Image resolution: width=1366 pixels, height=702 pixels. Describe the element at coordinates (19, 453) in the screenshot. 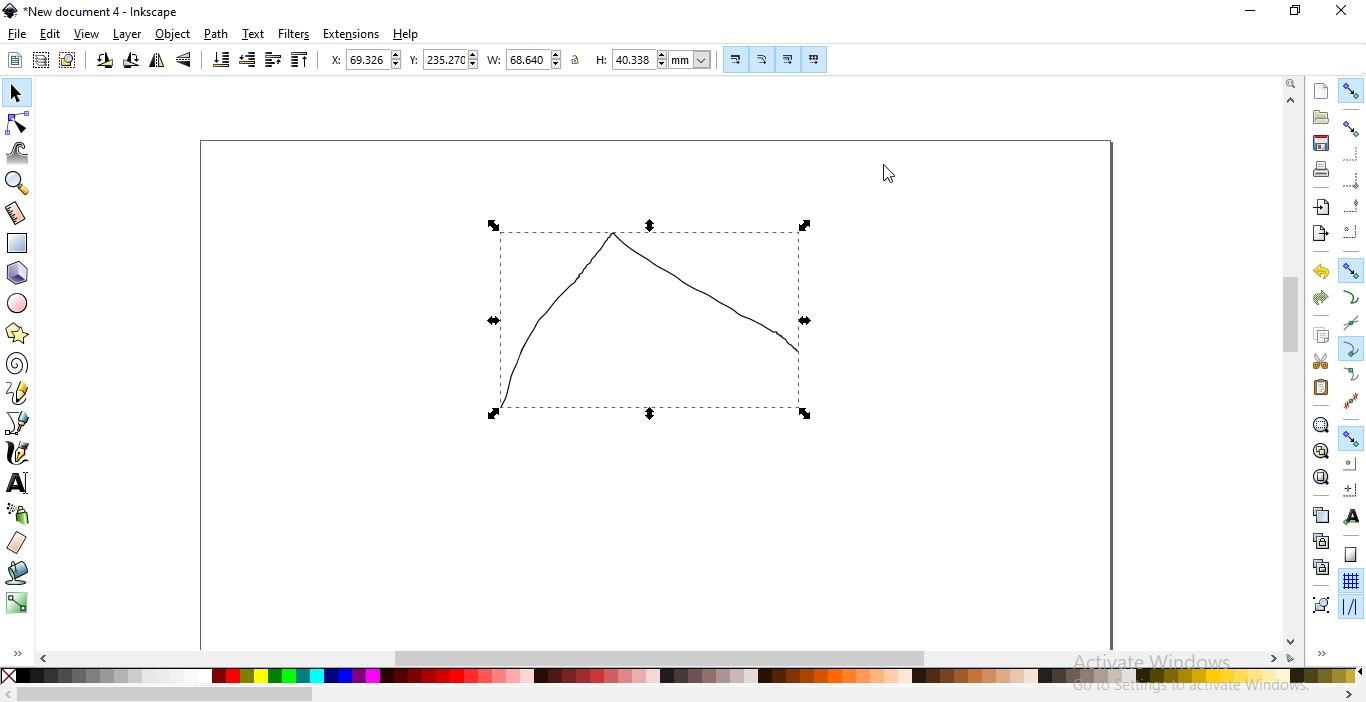

I see `draw calligraphic or brush strokes` at that location.